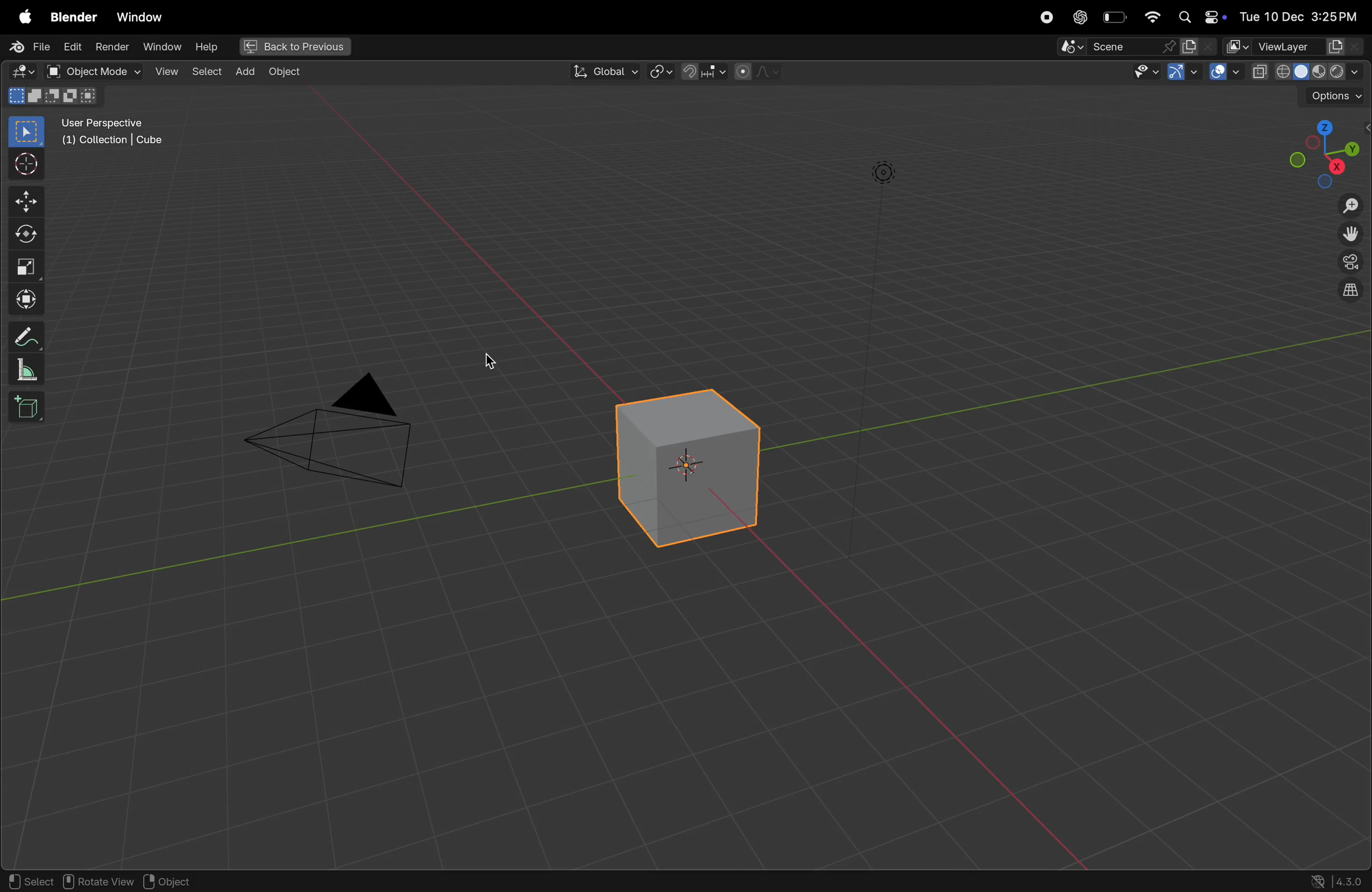  What do you see at coordinates (758, 72) in the screenshot?
I see `proportional objects` at bounding box center [758, 72].